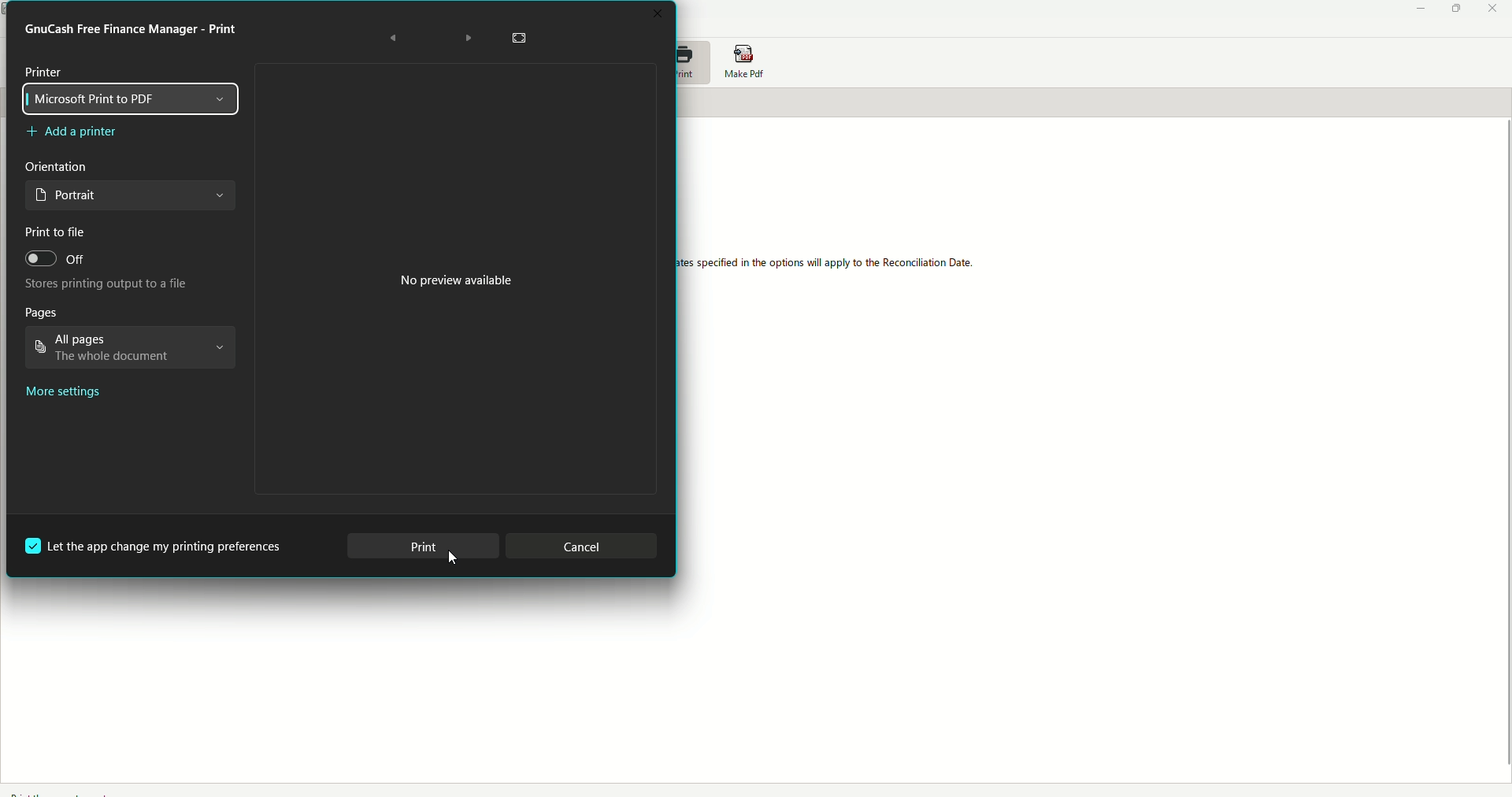 The image size is (1512, 797). I want to click on cursor, so click(454, 556).